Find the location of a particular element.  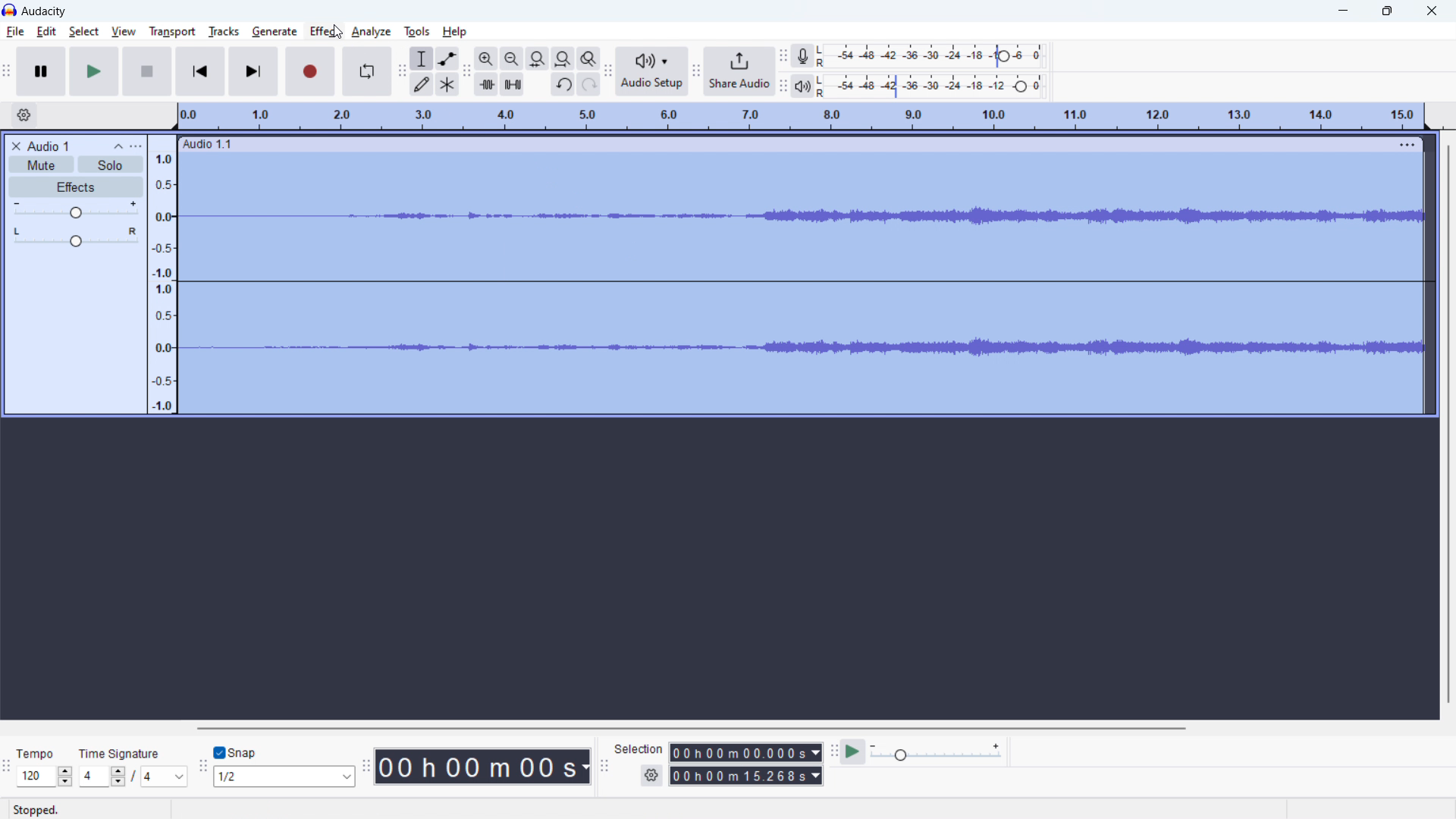

cursor is located at coordinates (338, 31).